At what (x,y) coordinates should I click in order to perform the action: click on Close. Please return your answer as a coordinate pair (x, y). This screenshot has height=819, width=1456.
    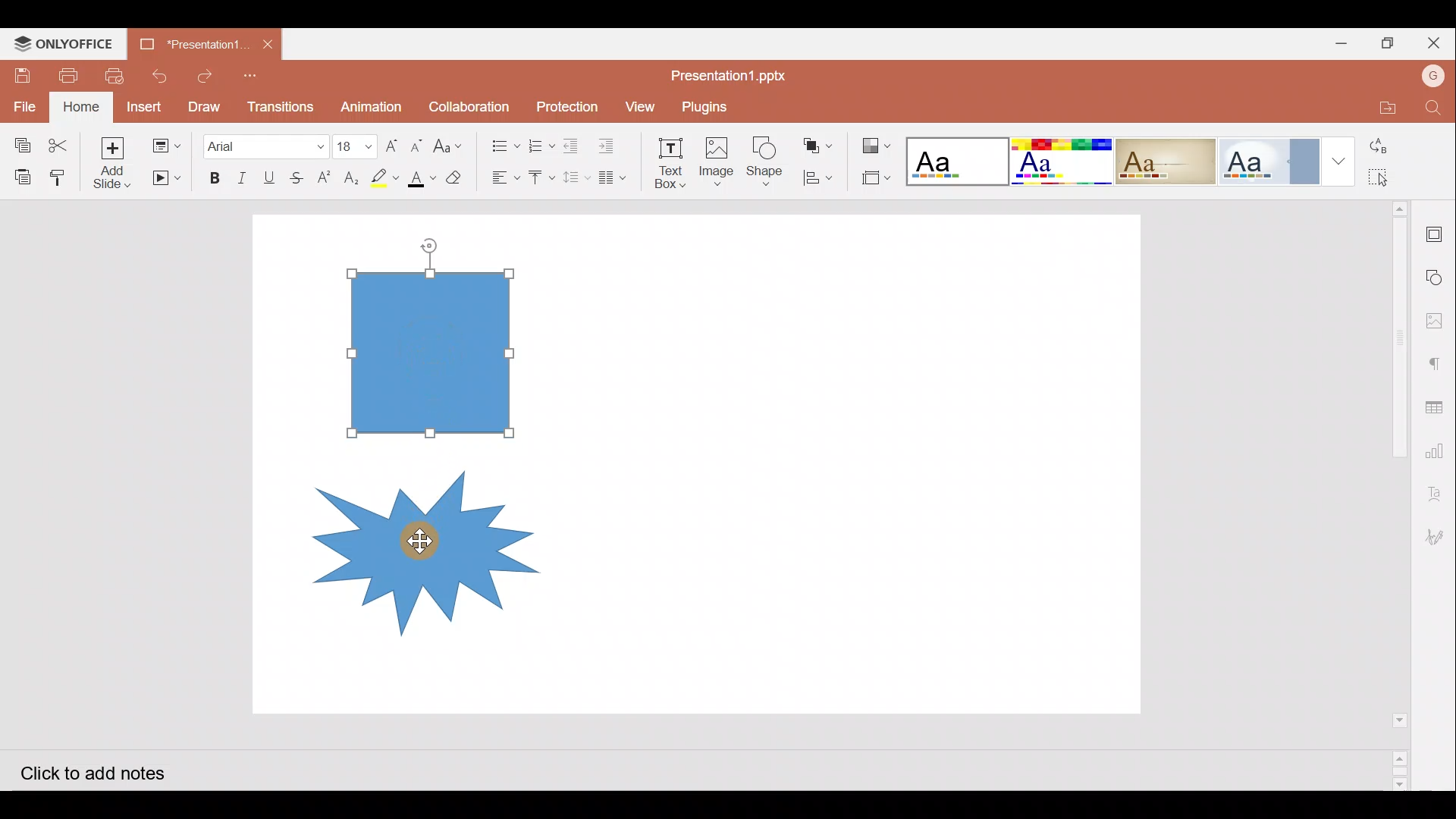
    Looking at the image, I should click on (1436, 42).